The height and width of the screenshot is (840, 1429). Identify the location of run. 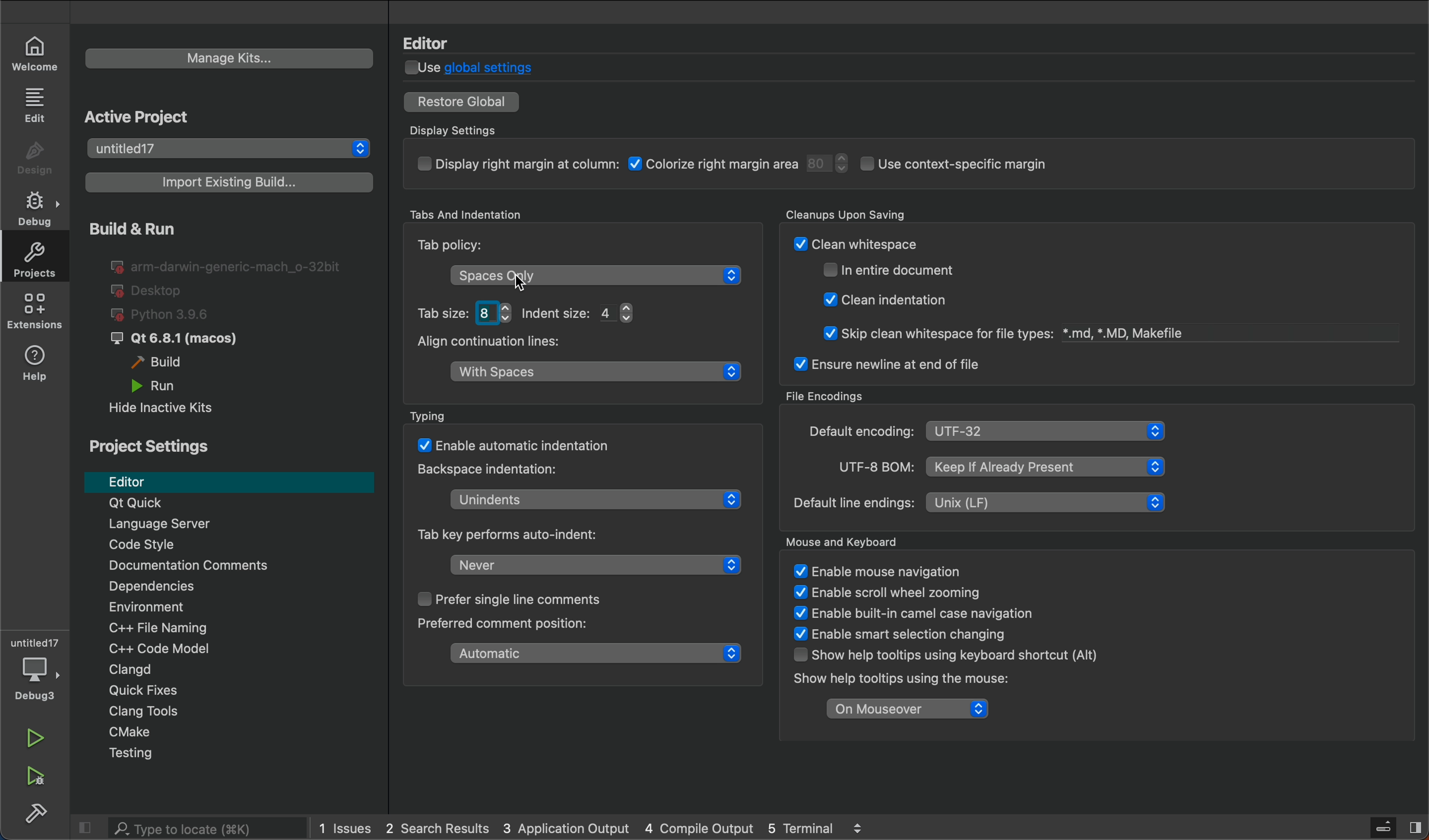
(38, 739).